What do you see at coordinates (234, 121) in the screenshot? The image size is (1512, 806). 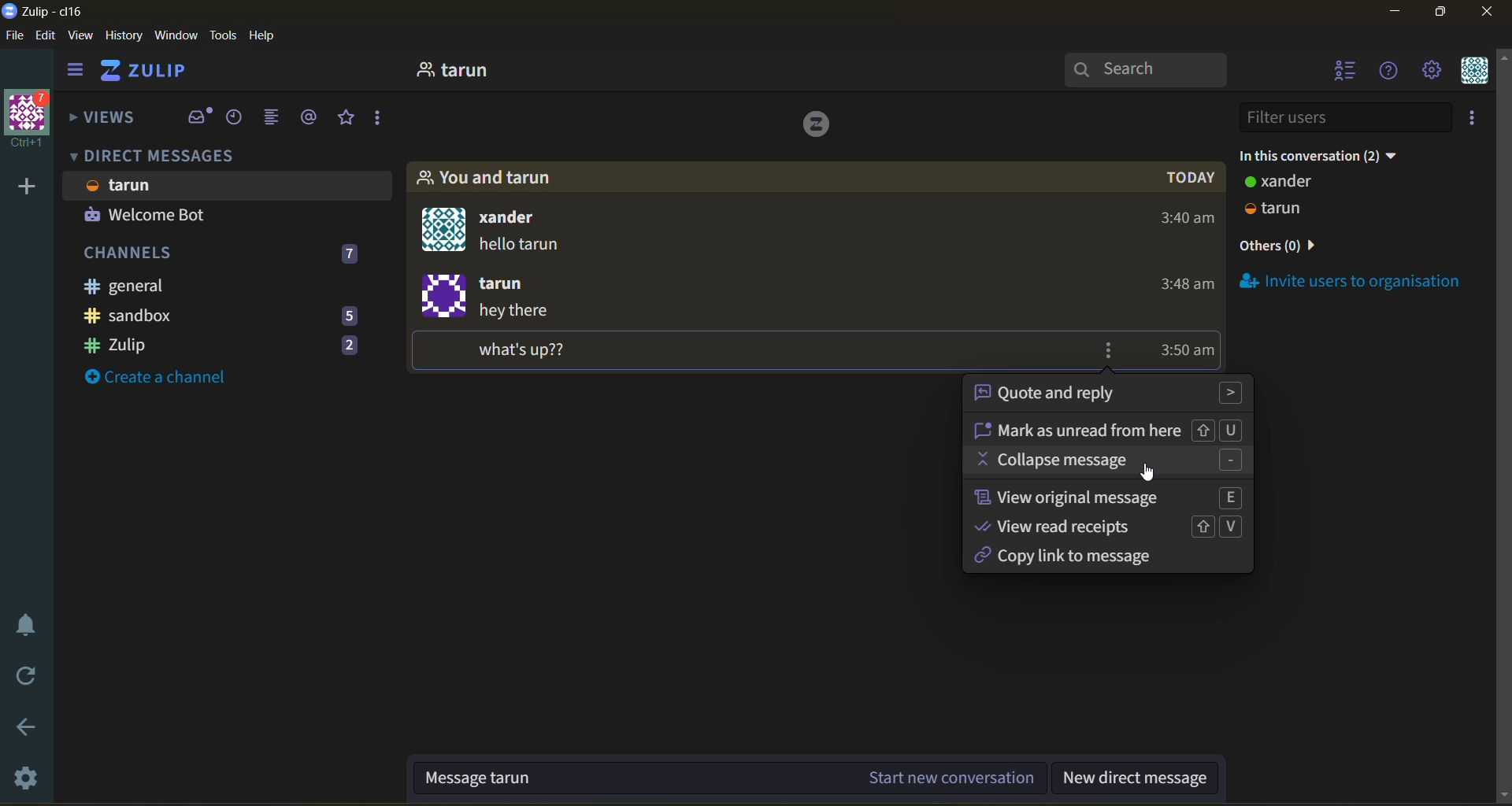 I see `recent conversations` at bounding box center [234, 121].